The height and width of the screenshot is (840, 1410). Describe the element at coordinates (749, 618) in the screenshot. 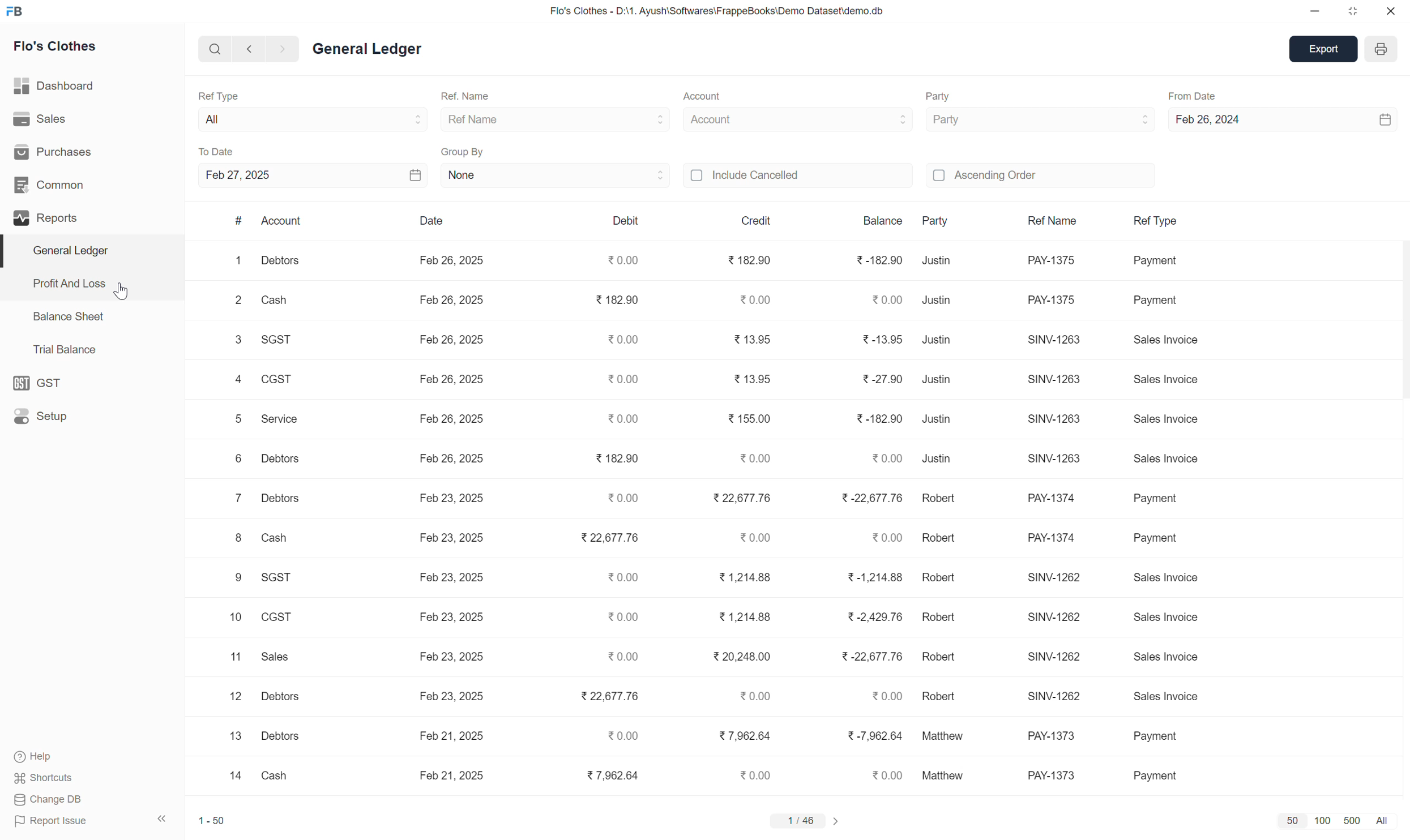

I see `₹1,214.88` at that location.